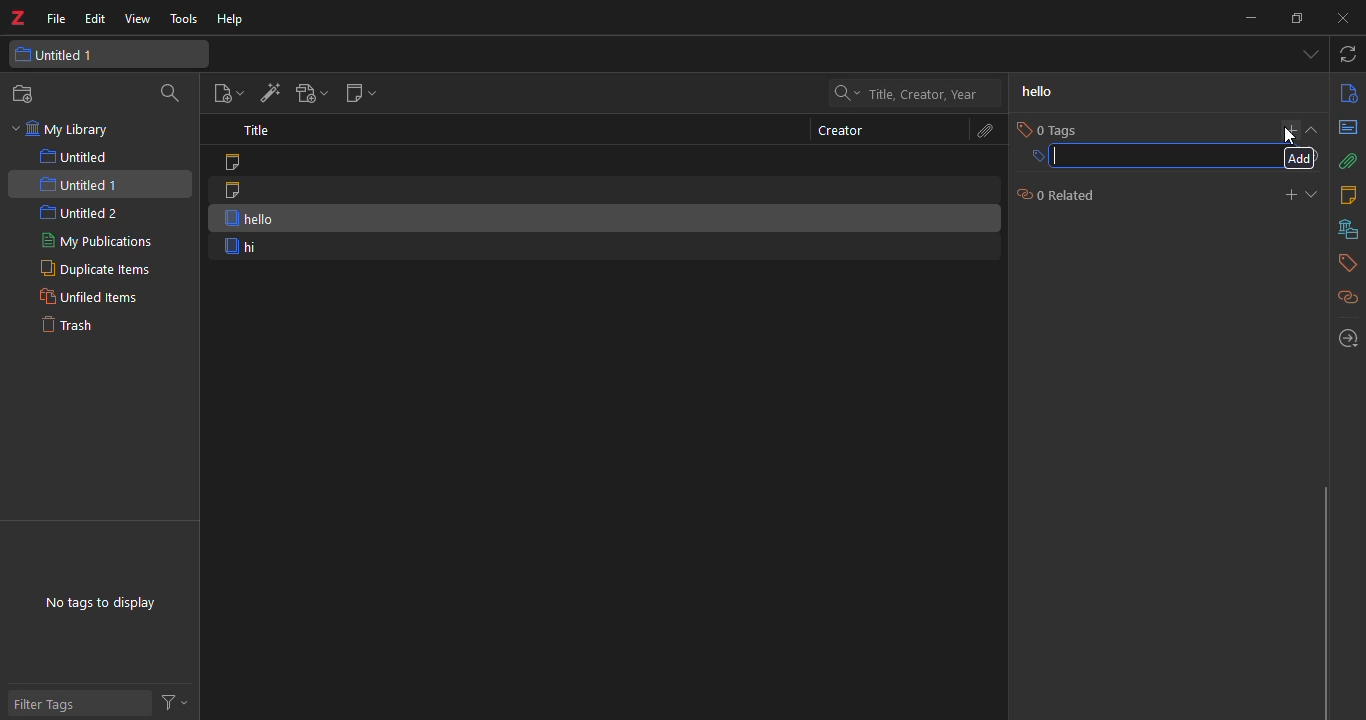 The image size is (1366, 720). Describe the element at coordinates (917, 93) in the screenshot. I see `search` at that location.